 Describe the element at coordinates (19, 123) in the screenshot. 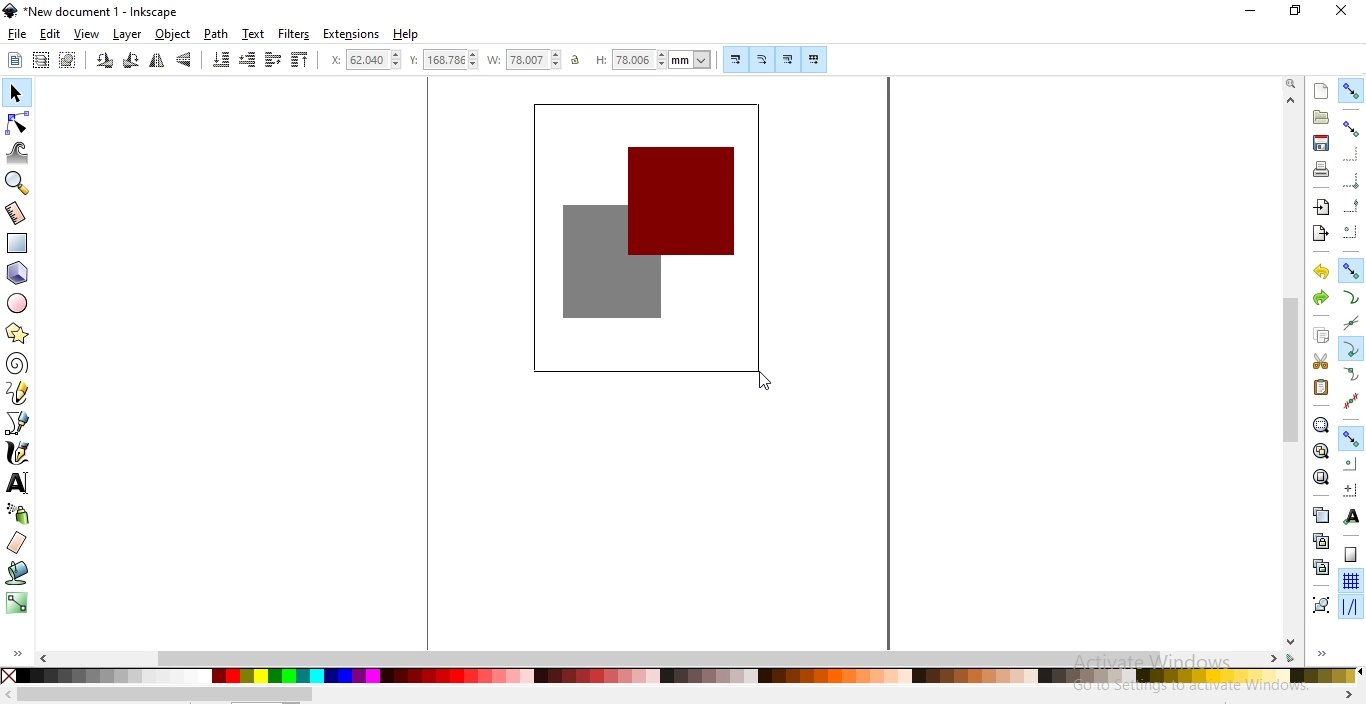

I see `edit paths by nodes` at that location.